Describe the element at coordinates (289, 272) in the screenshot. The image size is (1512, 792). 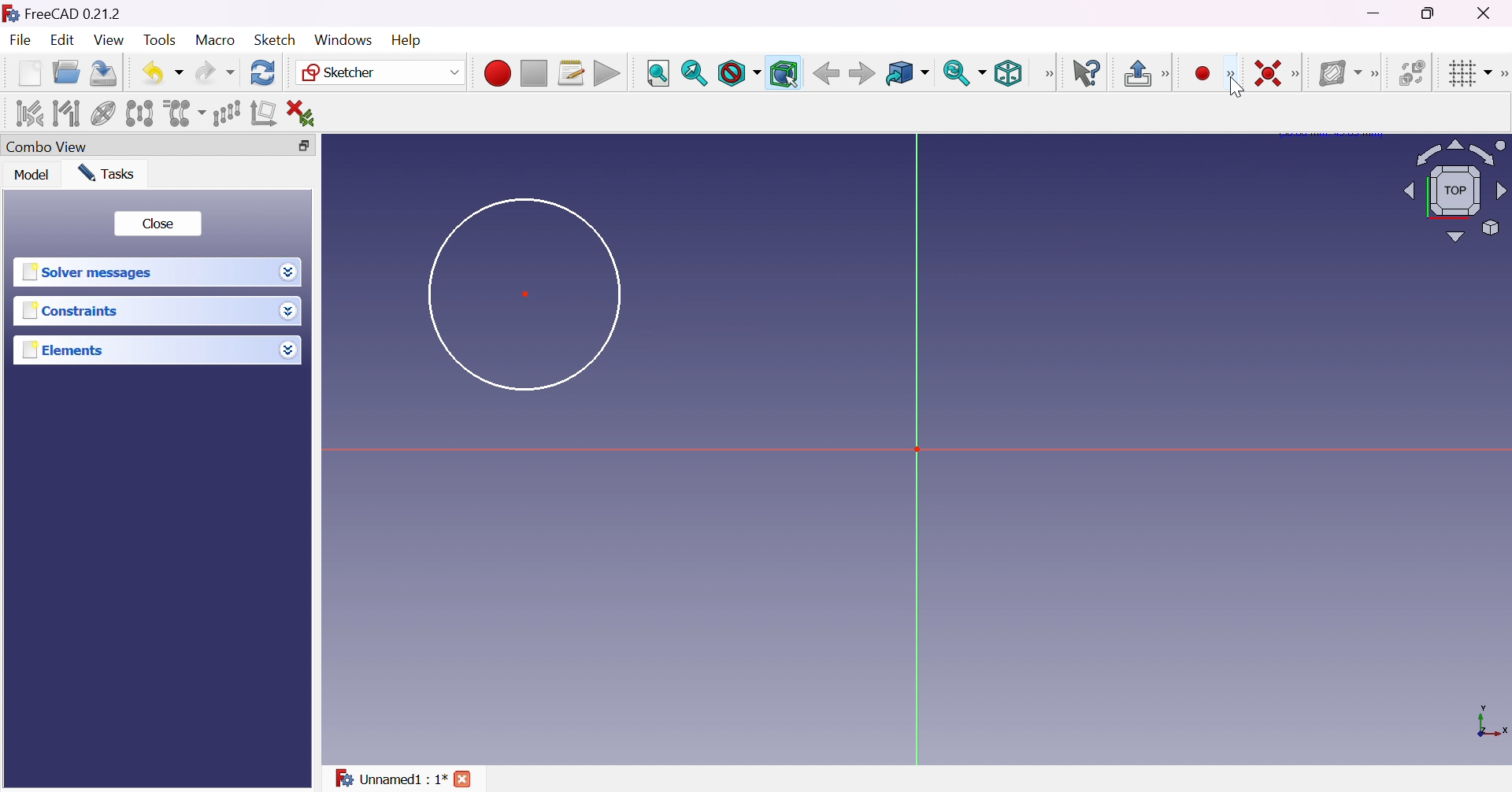
I see `Drop down` at that location.